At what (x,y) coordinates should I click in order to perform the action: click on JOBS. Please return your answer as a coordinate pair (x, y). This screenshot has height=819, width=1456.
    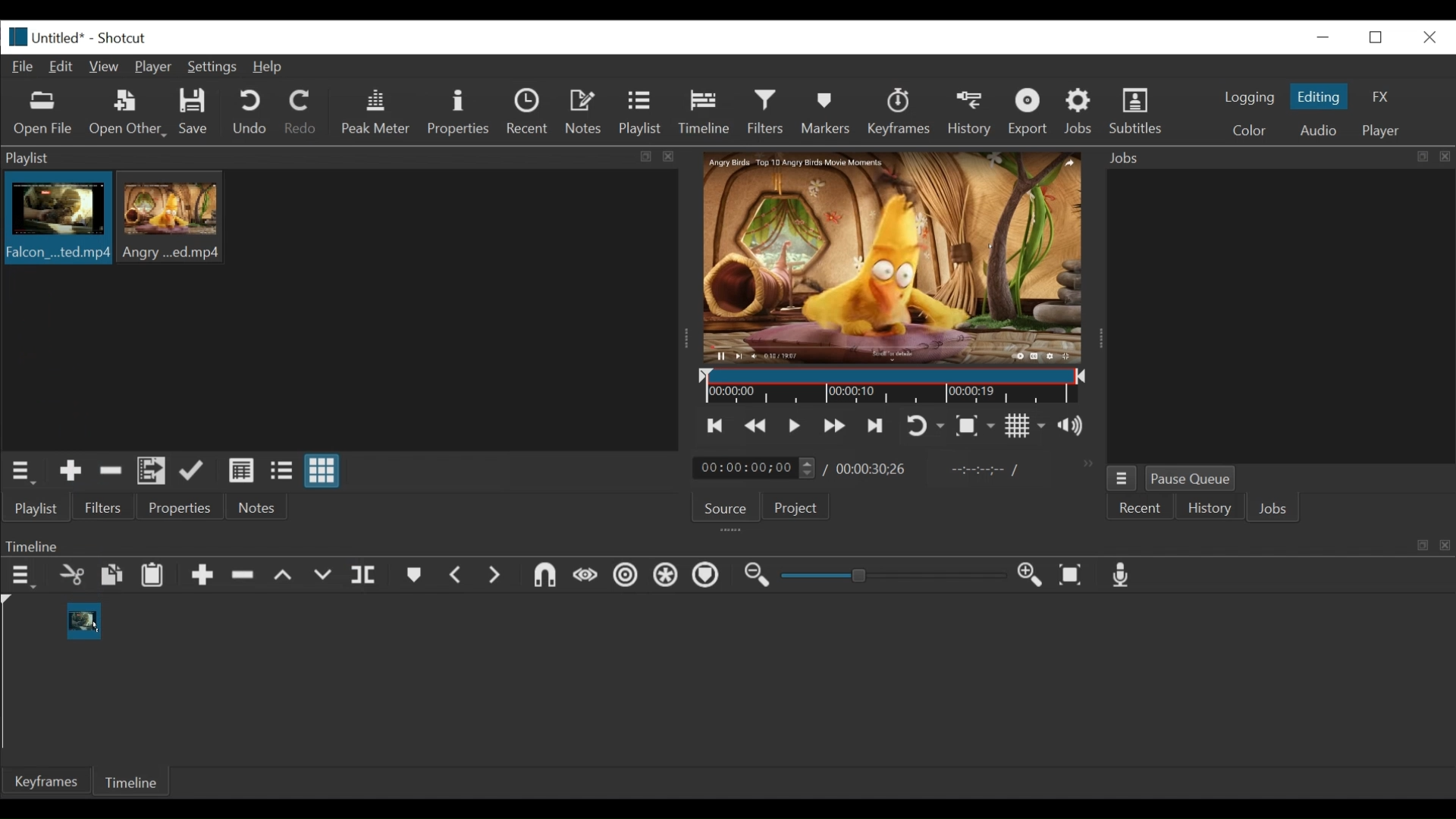
    Looking at the image, I should click on (1275, 510).